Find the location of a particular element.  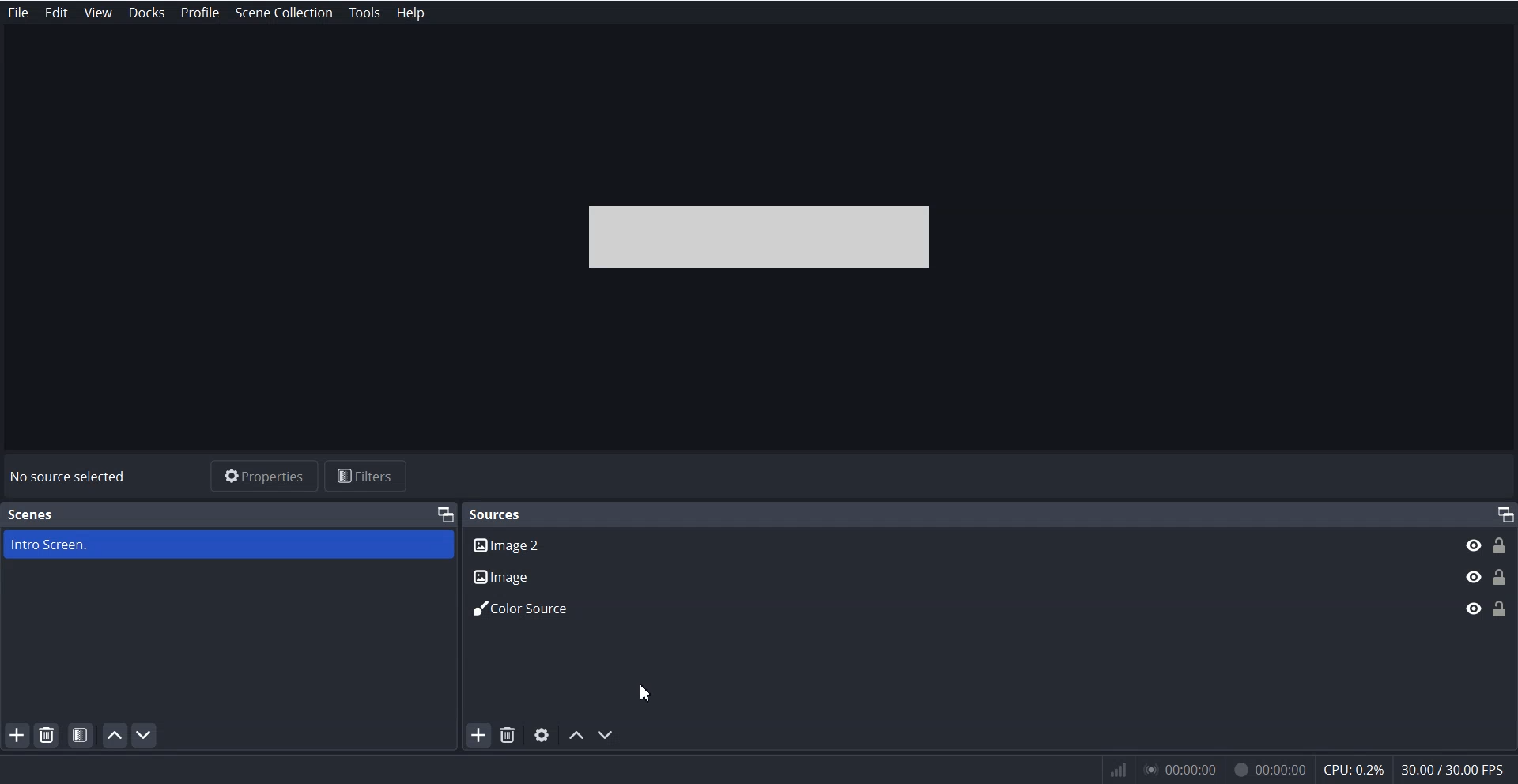

Filters is located at coordinates (368, 476).